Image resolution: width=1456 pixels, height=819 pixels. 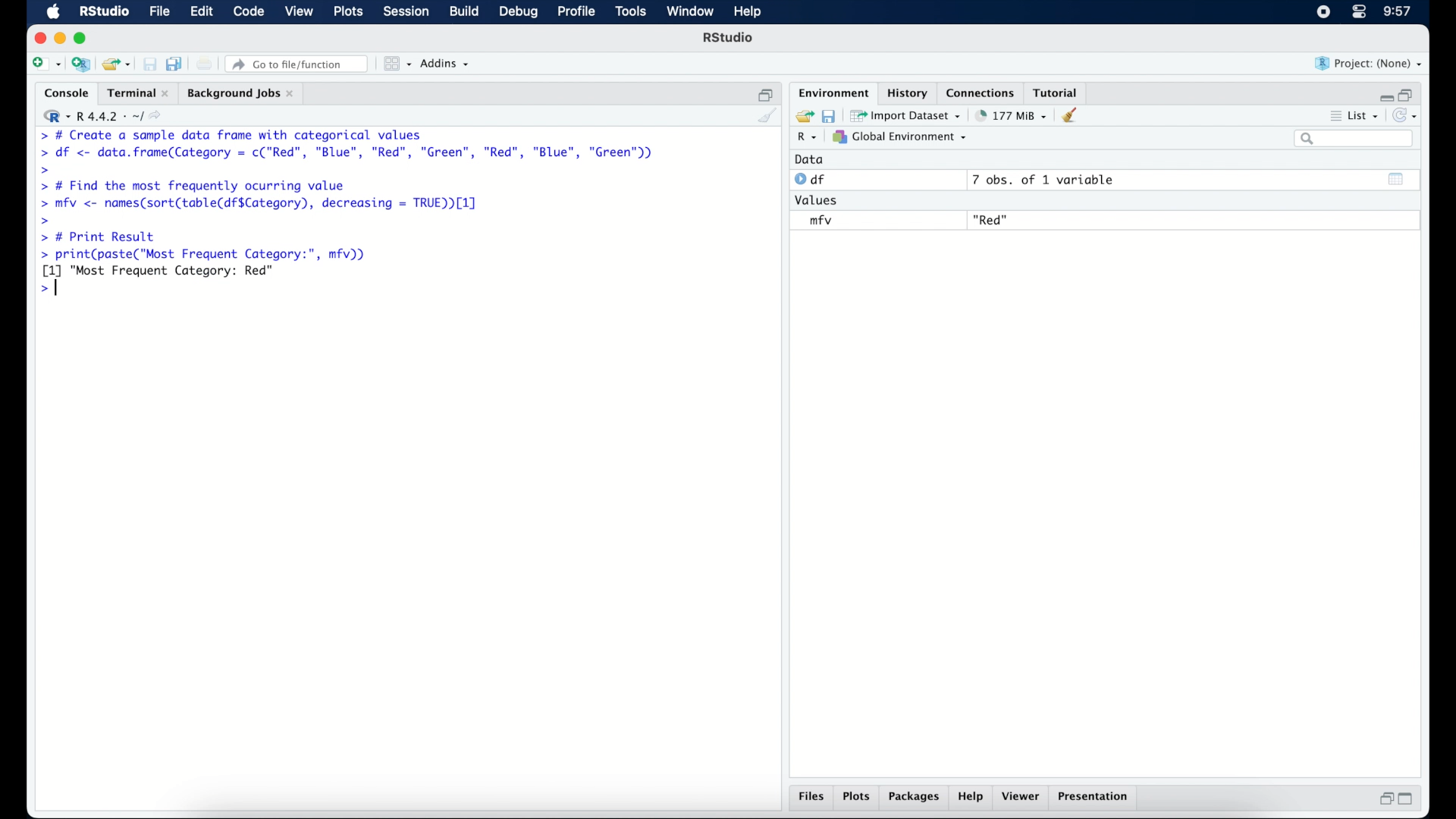 What do you see at coordinates (1075, 116) in the screenshot?
I see `clear` at bounding box center [1075, 116].